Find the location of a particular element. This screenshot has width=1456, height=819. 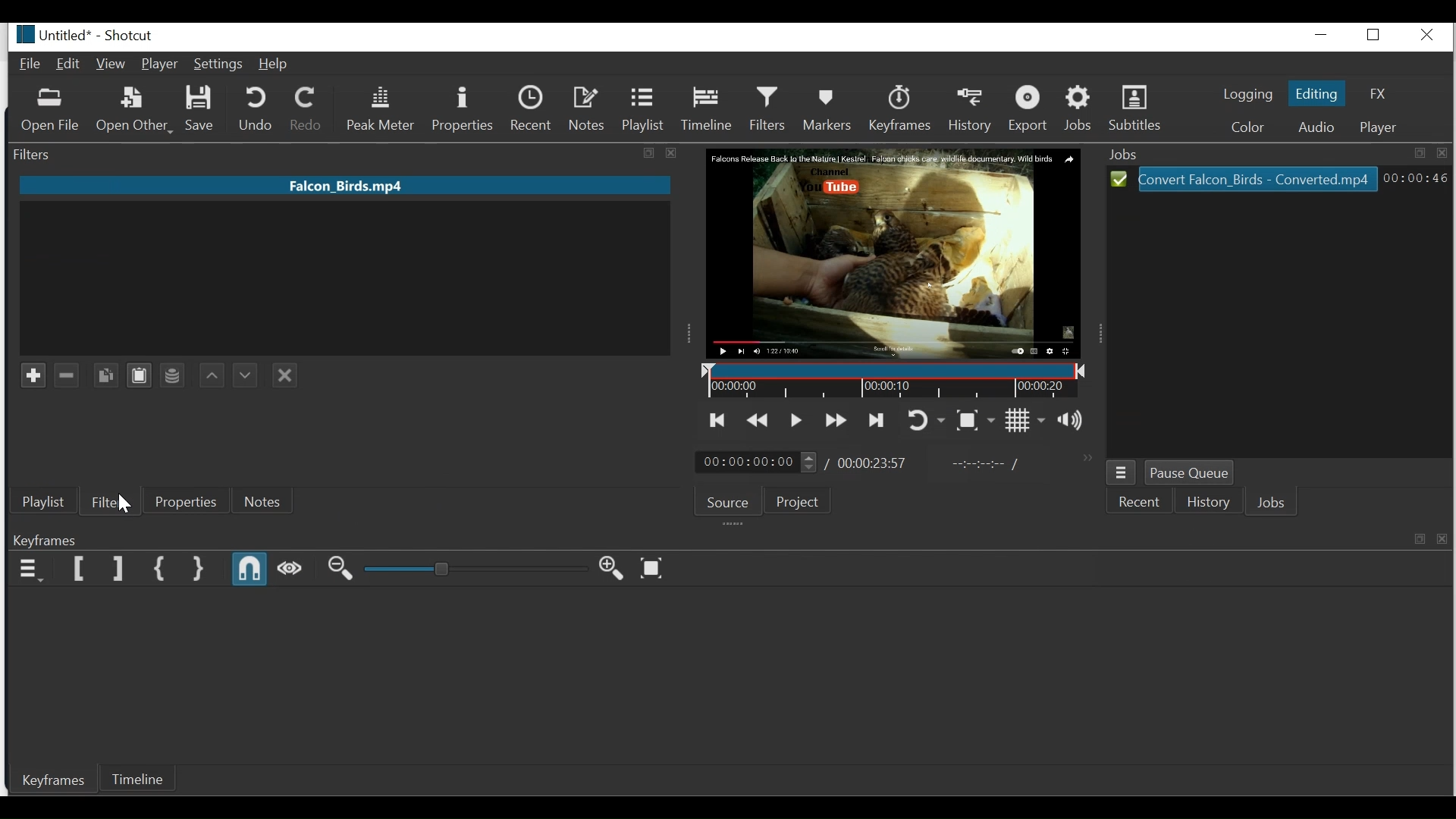

Filters is located at coordinates (340, 153).